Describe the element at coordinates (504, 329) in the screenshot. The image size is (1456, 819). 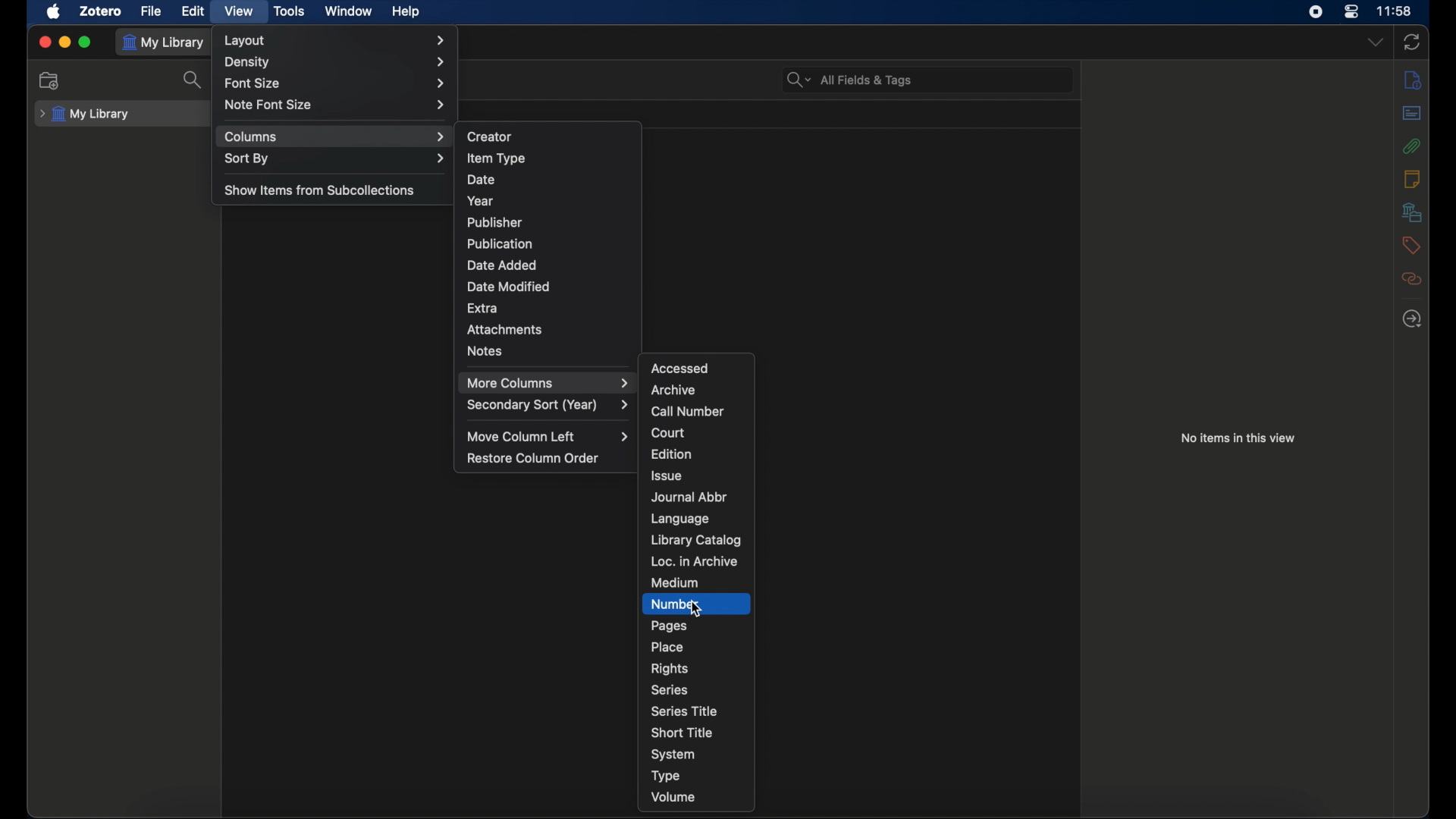
I see `attachments` at that location.